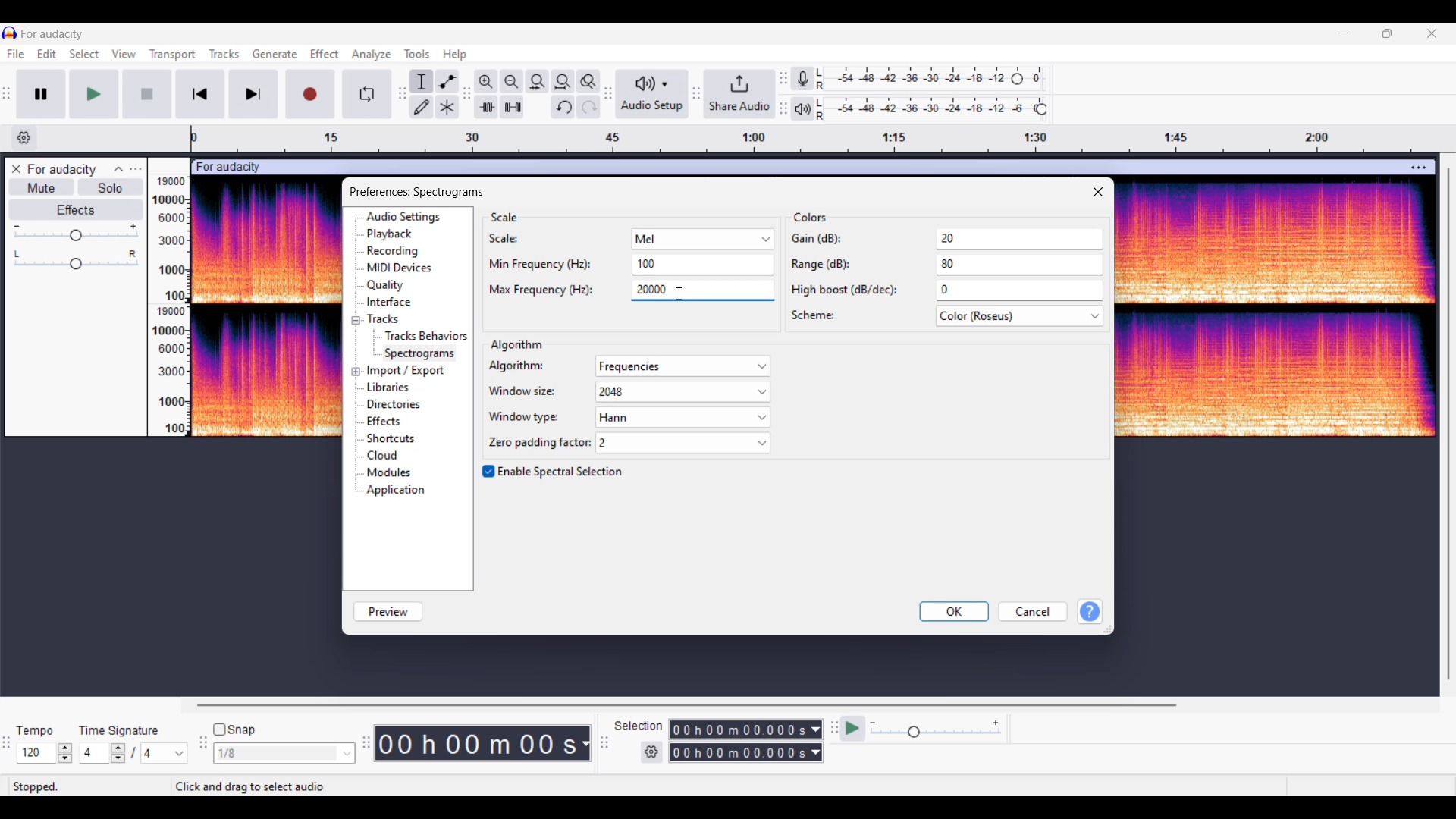 The height and width of the screenshot is (819, 1456). Describe the element at coordinates (652, 93) in the screenshot. I see `Audio setup` at that location.